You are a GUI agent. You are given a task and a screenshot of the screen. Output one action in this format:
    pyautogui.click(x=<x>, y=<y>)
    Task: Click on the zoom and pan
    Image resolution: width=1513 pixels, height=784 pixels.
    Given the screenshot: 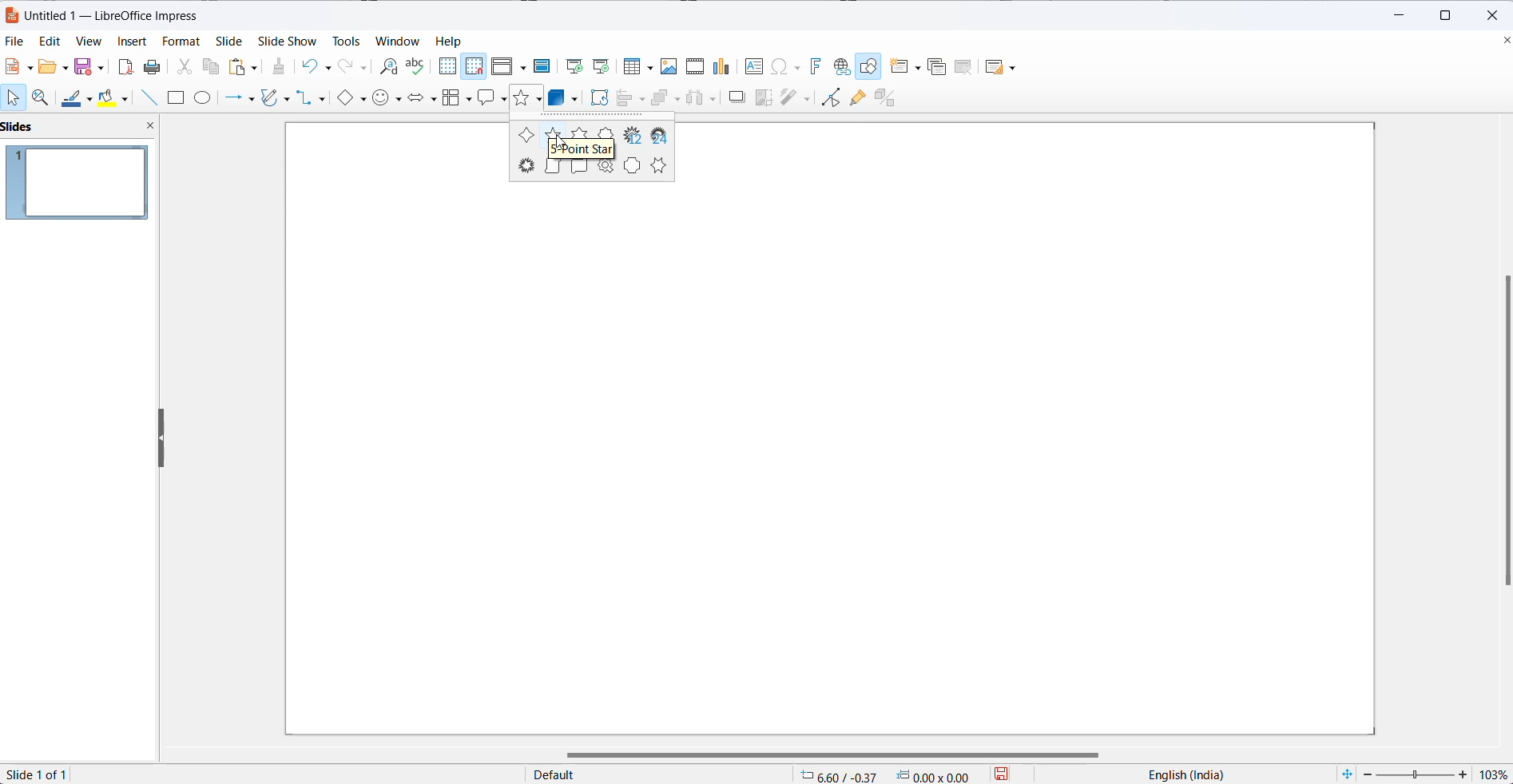 What is the action you would take?
    pyautogui.click(x=43, y=97)
    